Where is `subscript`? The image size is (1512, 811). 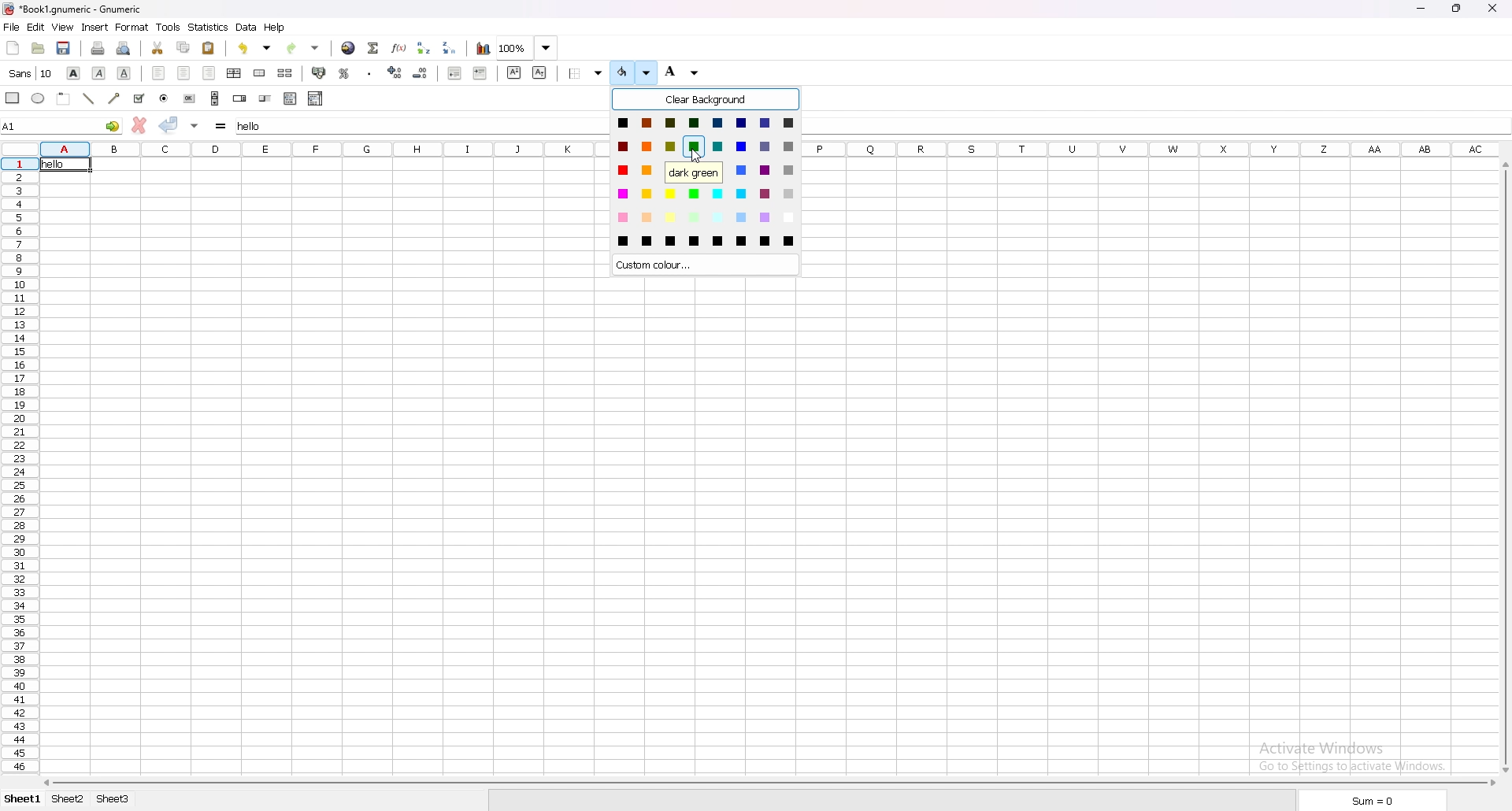
subscript is located at coordinates (539, 72).